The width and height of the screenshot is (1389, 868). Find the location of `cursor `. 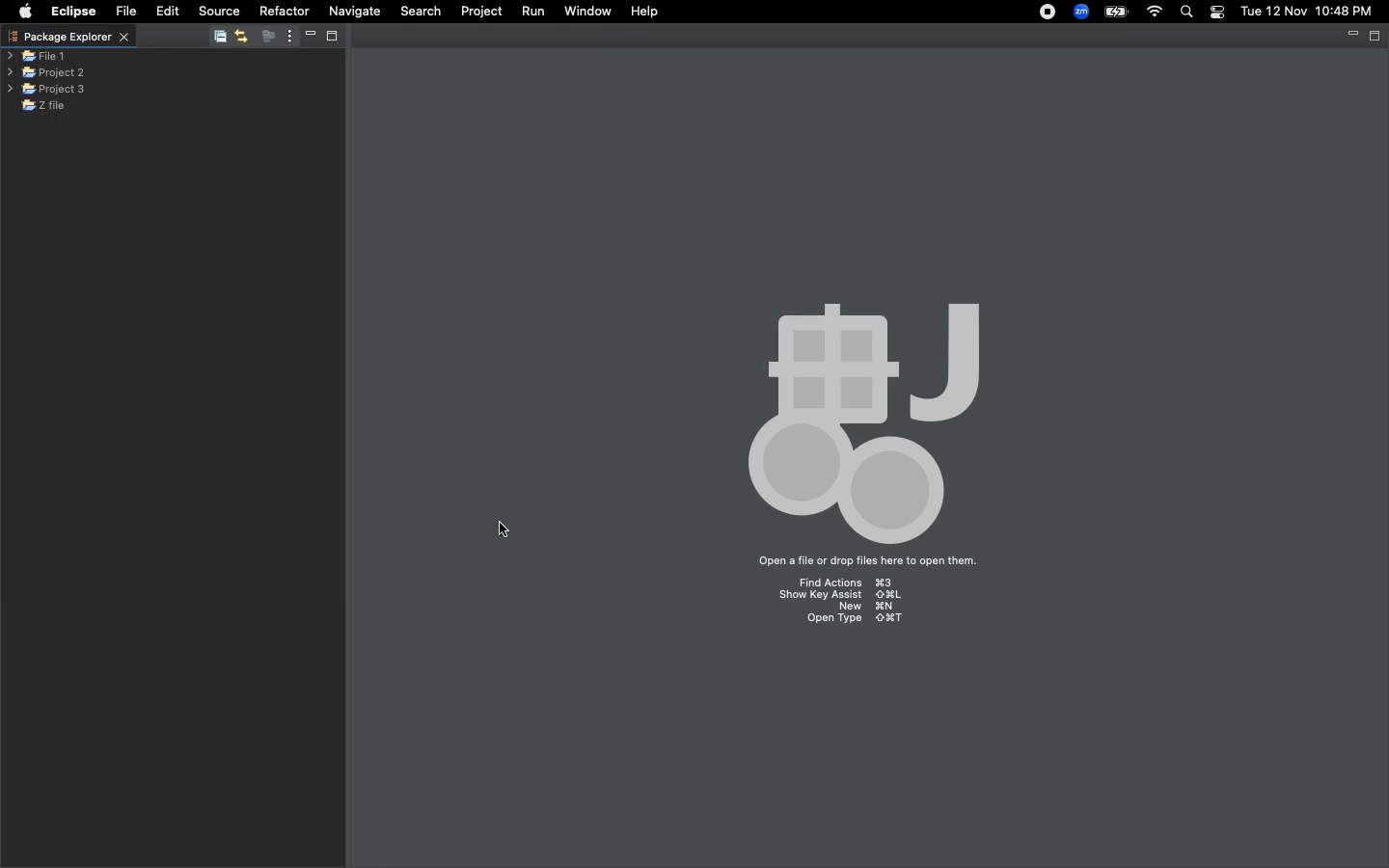

cursor  is located at coordinates (504, 529).